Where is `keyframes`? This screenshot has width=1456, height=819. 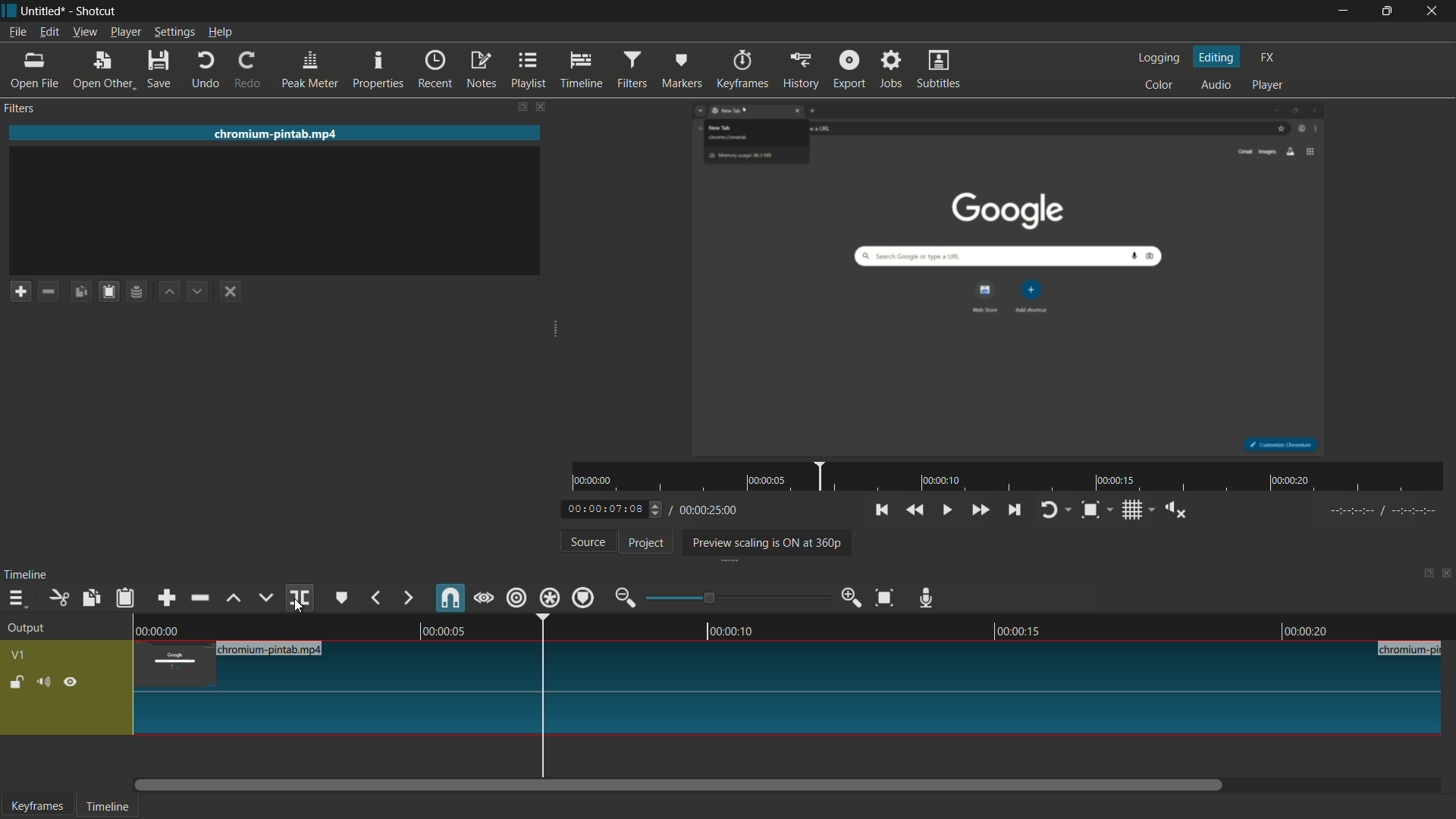
keyframes is located at coordinates (37, 805).